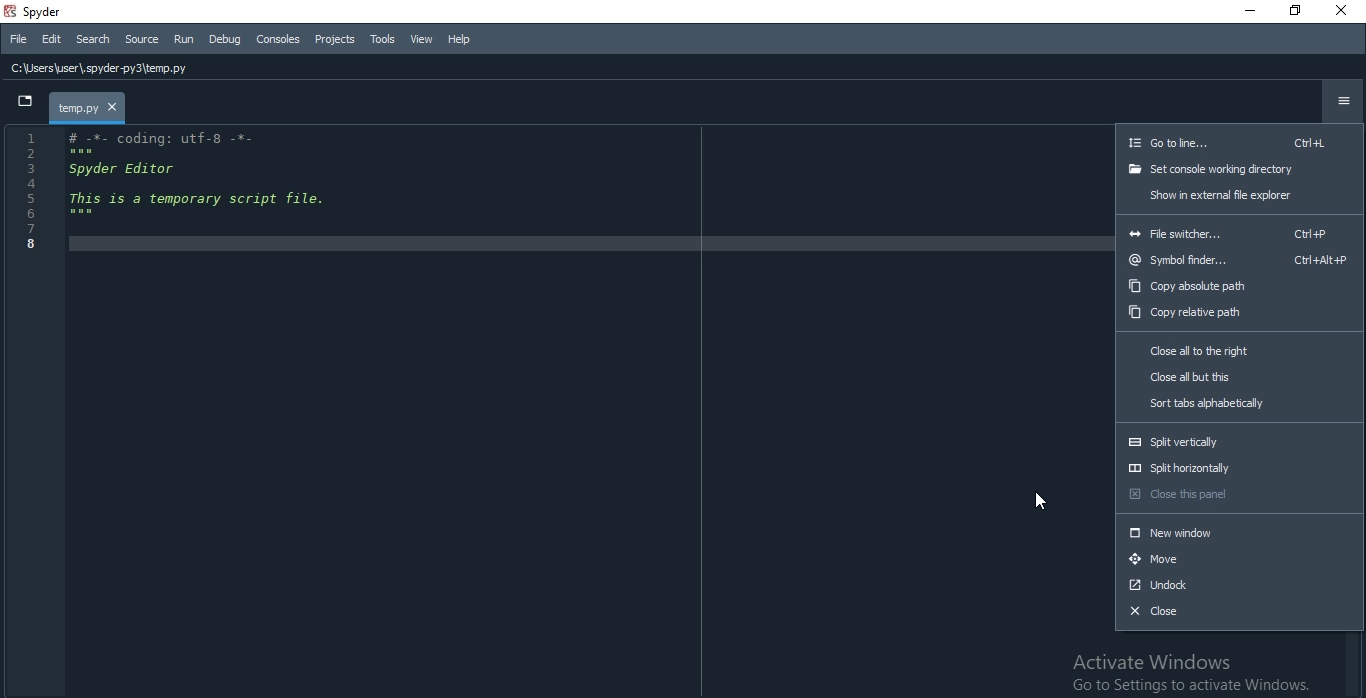 This screenshot has width=1366, height=698. What do you see at coordinates (1340, 105) in the screenshot?
I see `options` at bounding box center [1340, 105].